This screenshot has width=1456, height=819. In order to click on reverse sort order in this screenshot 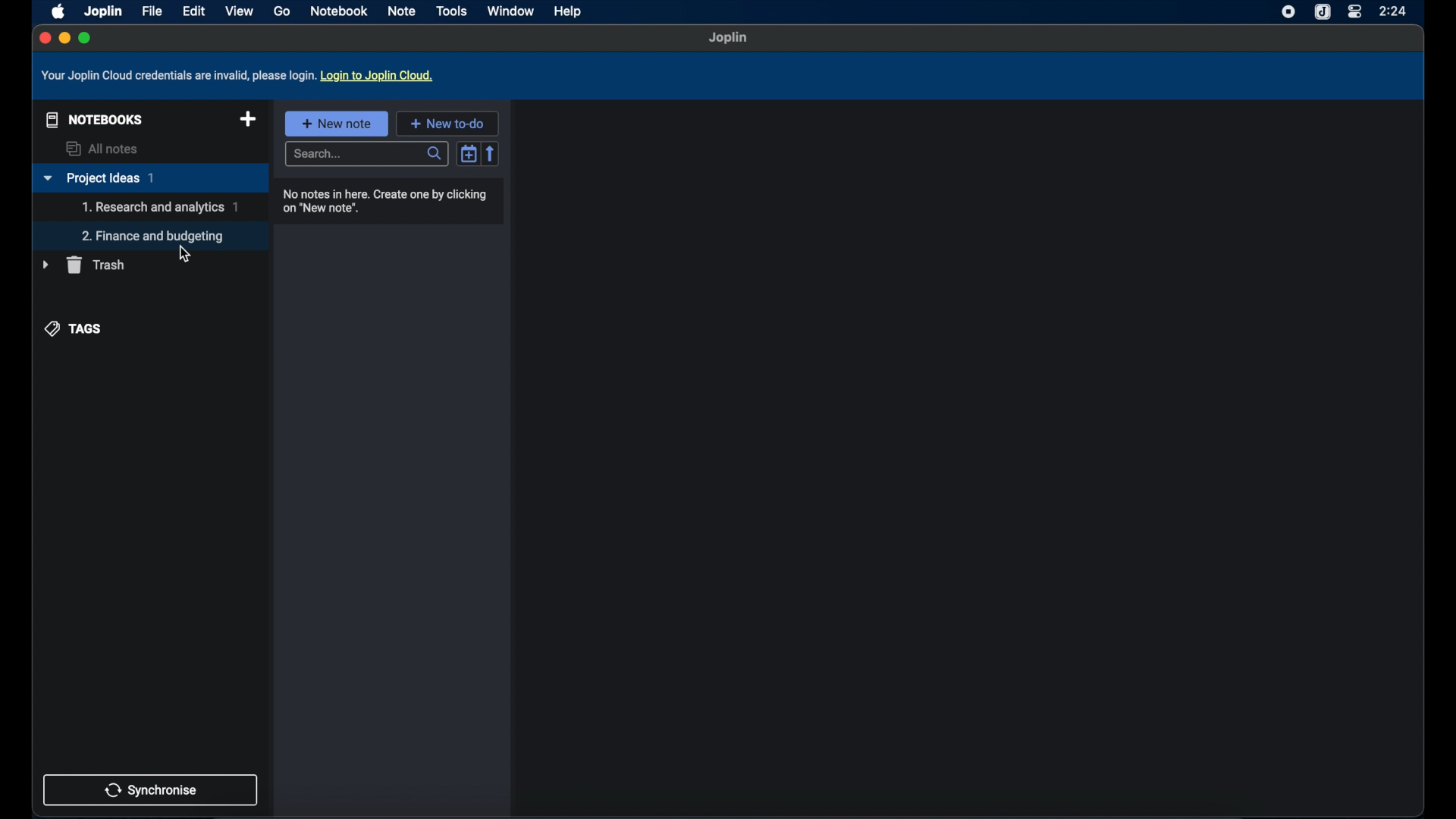, I will do `click(492, 153)`.